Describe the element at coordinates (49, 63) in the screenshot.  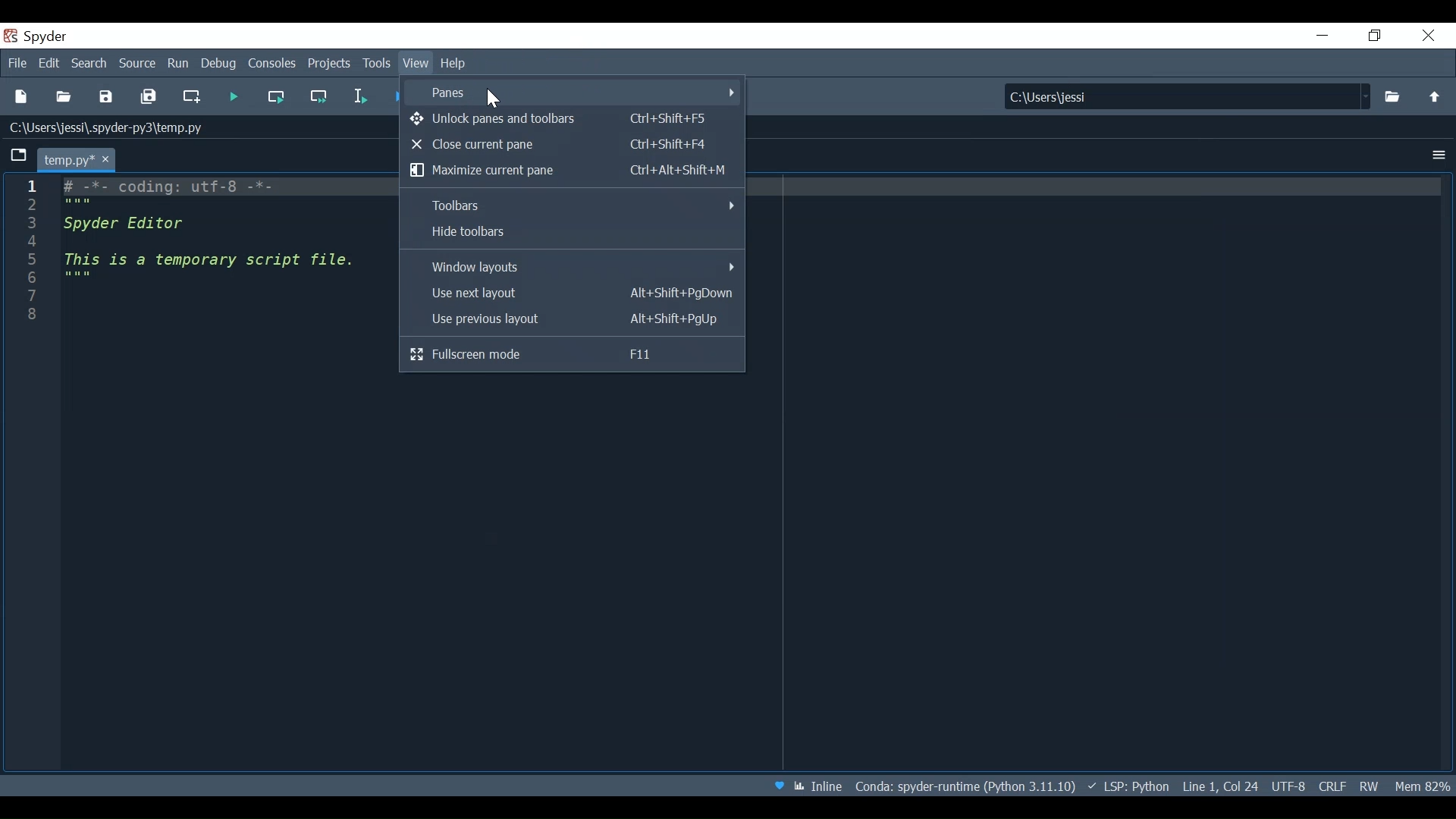
I see `Edit` at that location.